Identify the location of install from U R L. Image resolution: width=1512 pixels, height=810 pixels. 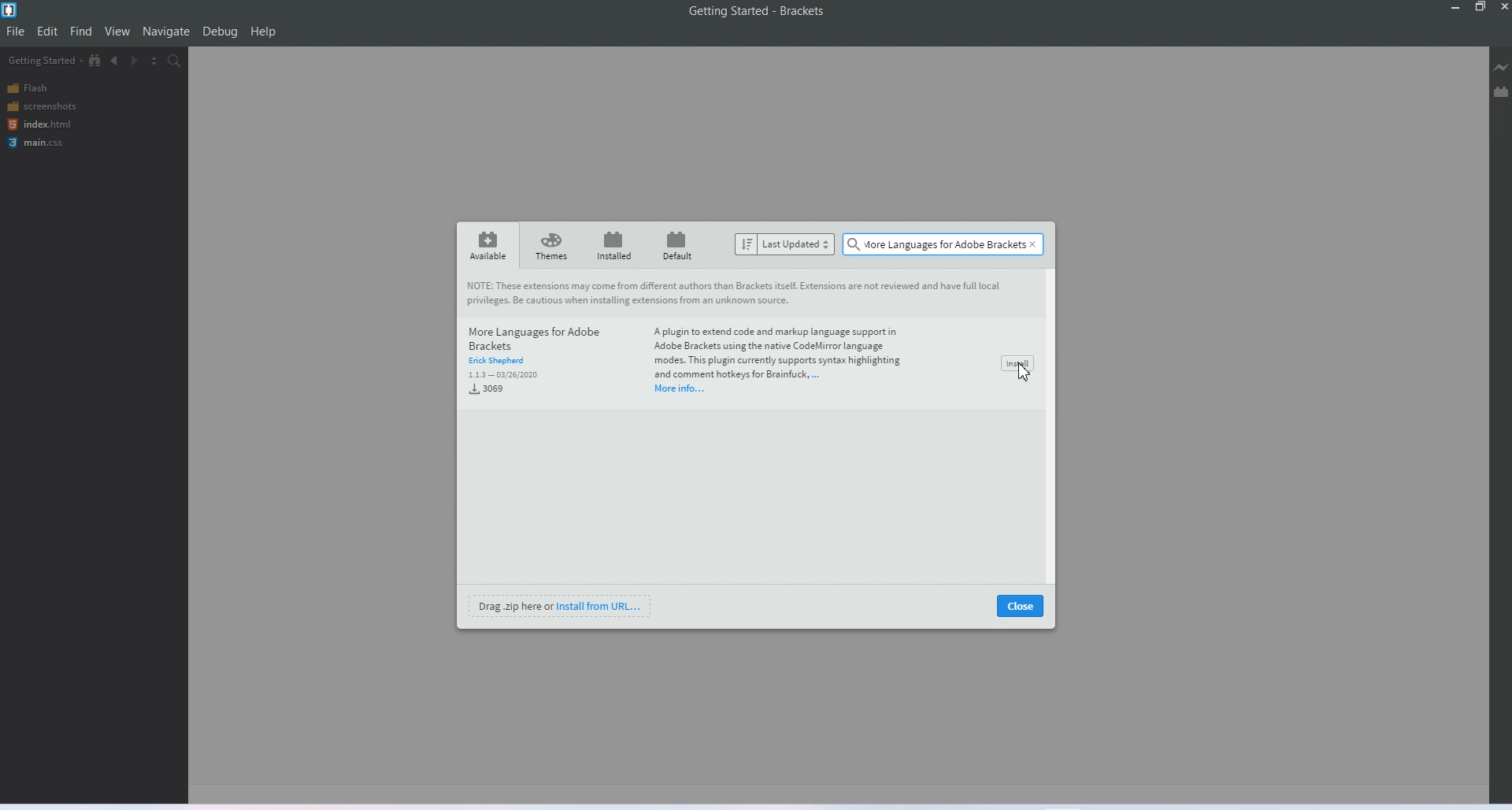
(599, 605).